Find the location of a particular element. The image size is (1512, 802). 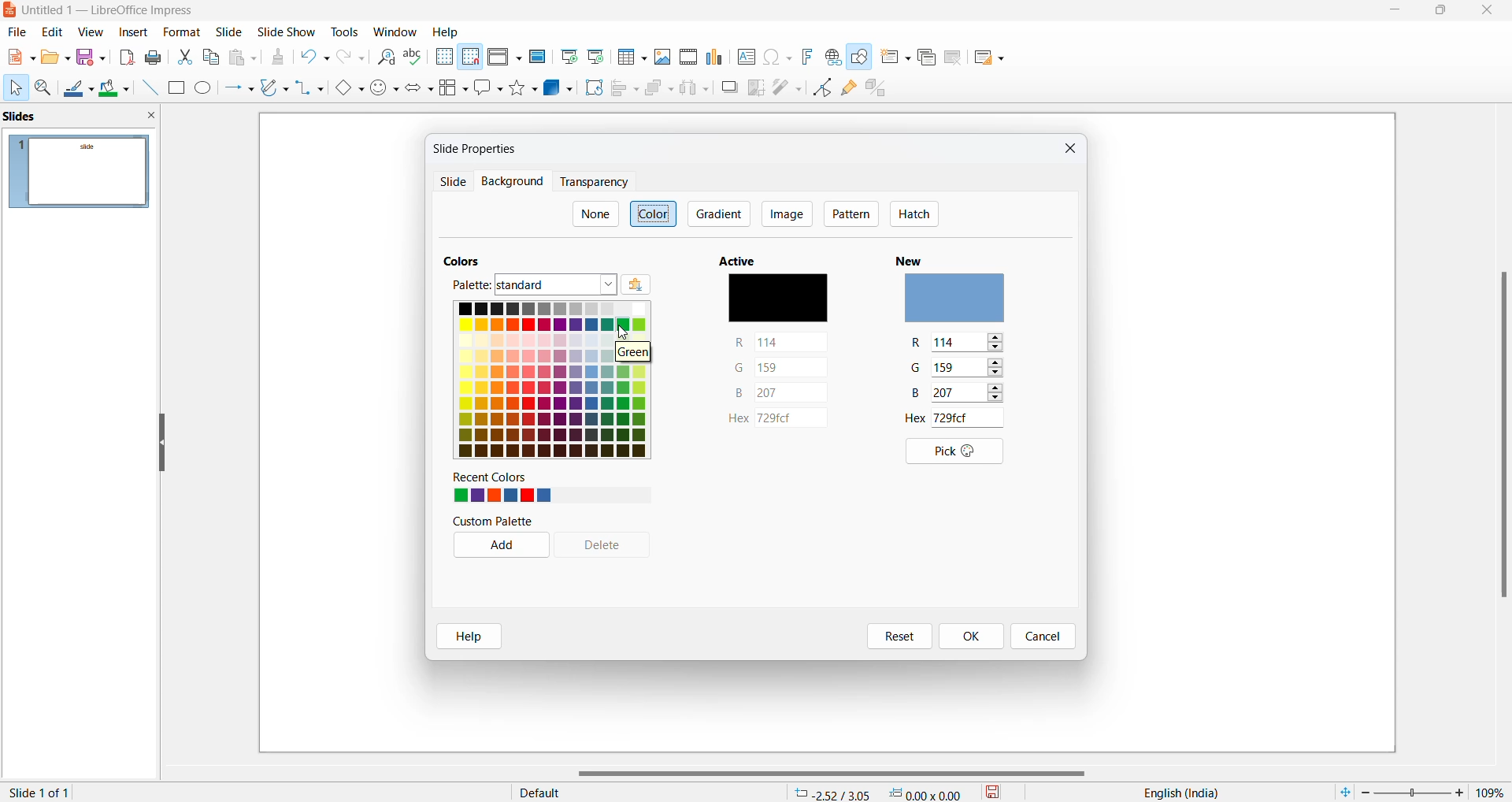

color  is located at coordinates (655, 213).